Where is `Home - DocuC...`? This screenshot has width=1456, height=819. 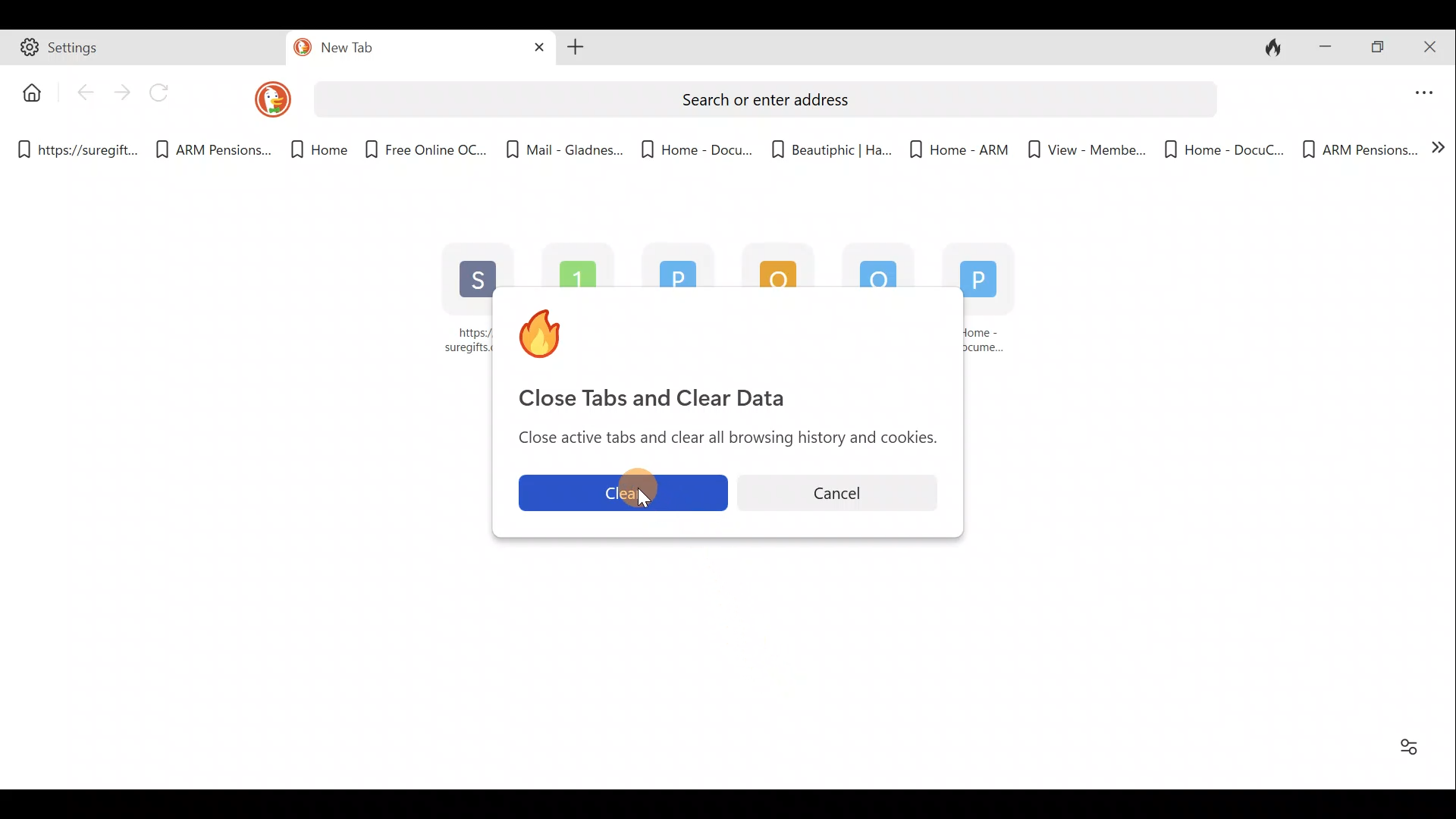 Home - DocuC... is located at coordinates (1222, 147).